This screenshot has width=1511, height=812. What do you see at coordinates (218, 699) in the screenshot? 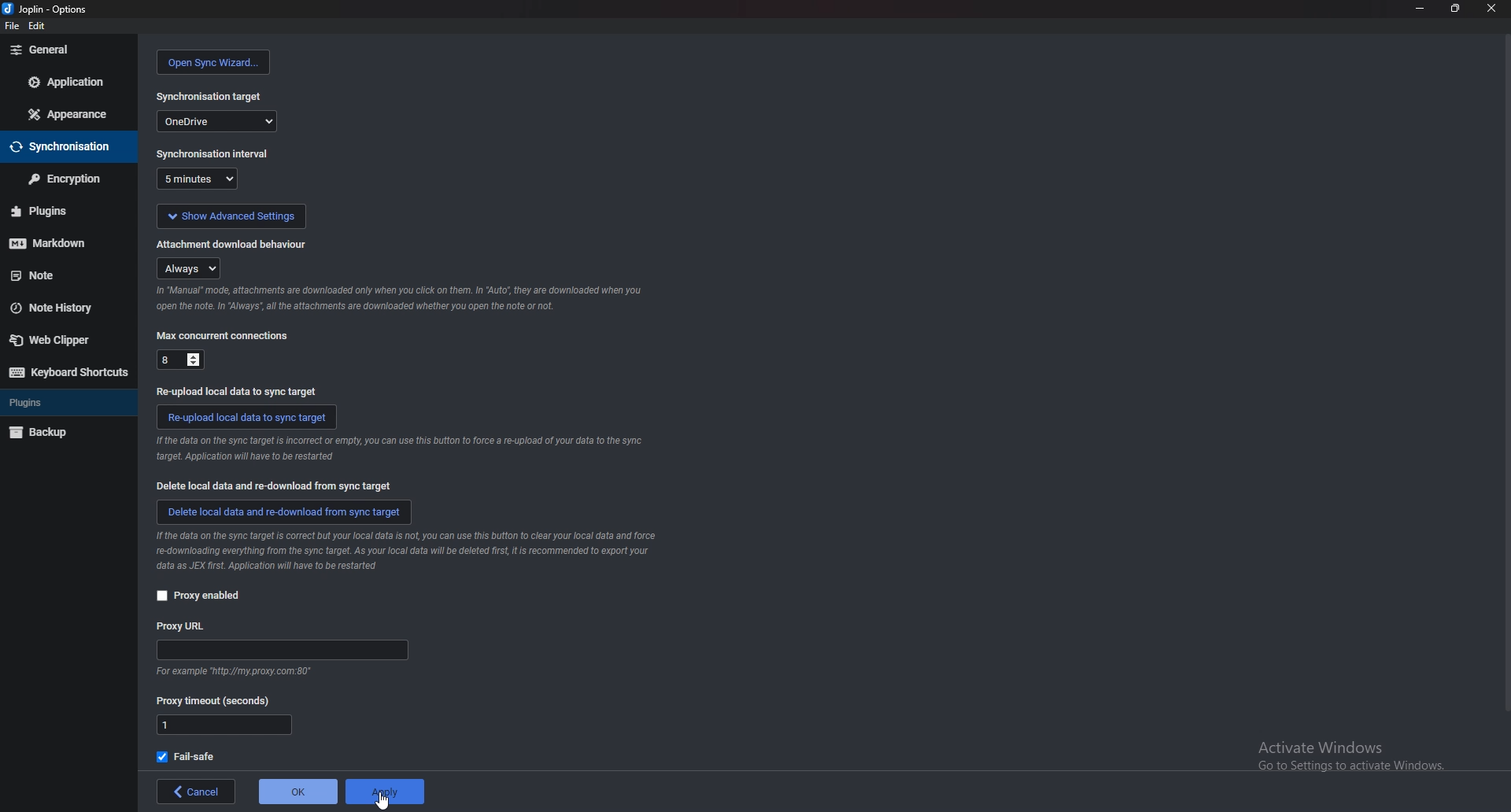
I see `proxy timeout` at bounding box center [218, 699].